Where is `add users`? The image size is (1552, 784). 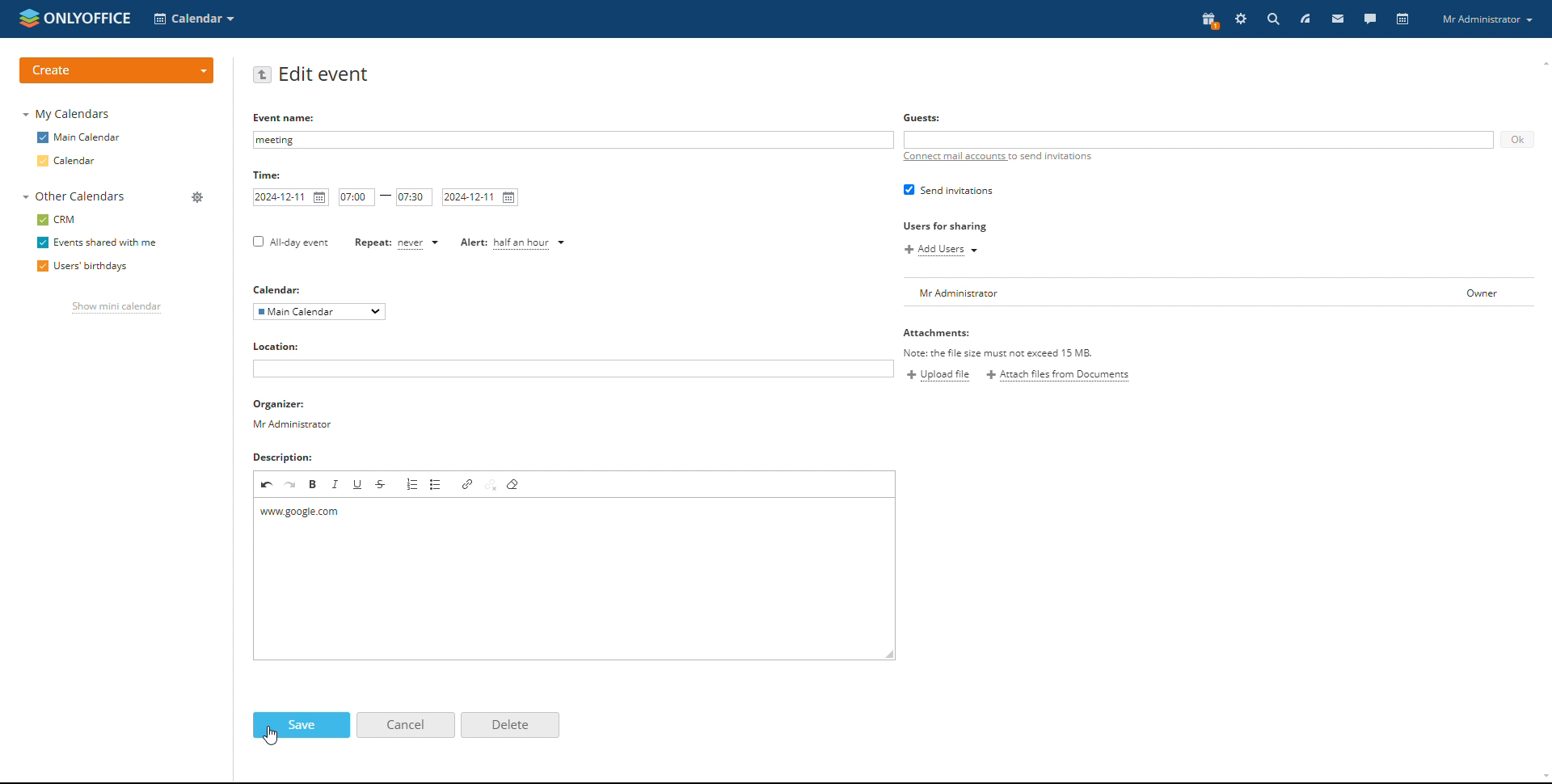 add users is located at coordinates (941, 250).